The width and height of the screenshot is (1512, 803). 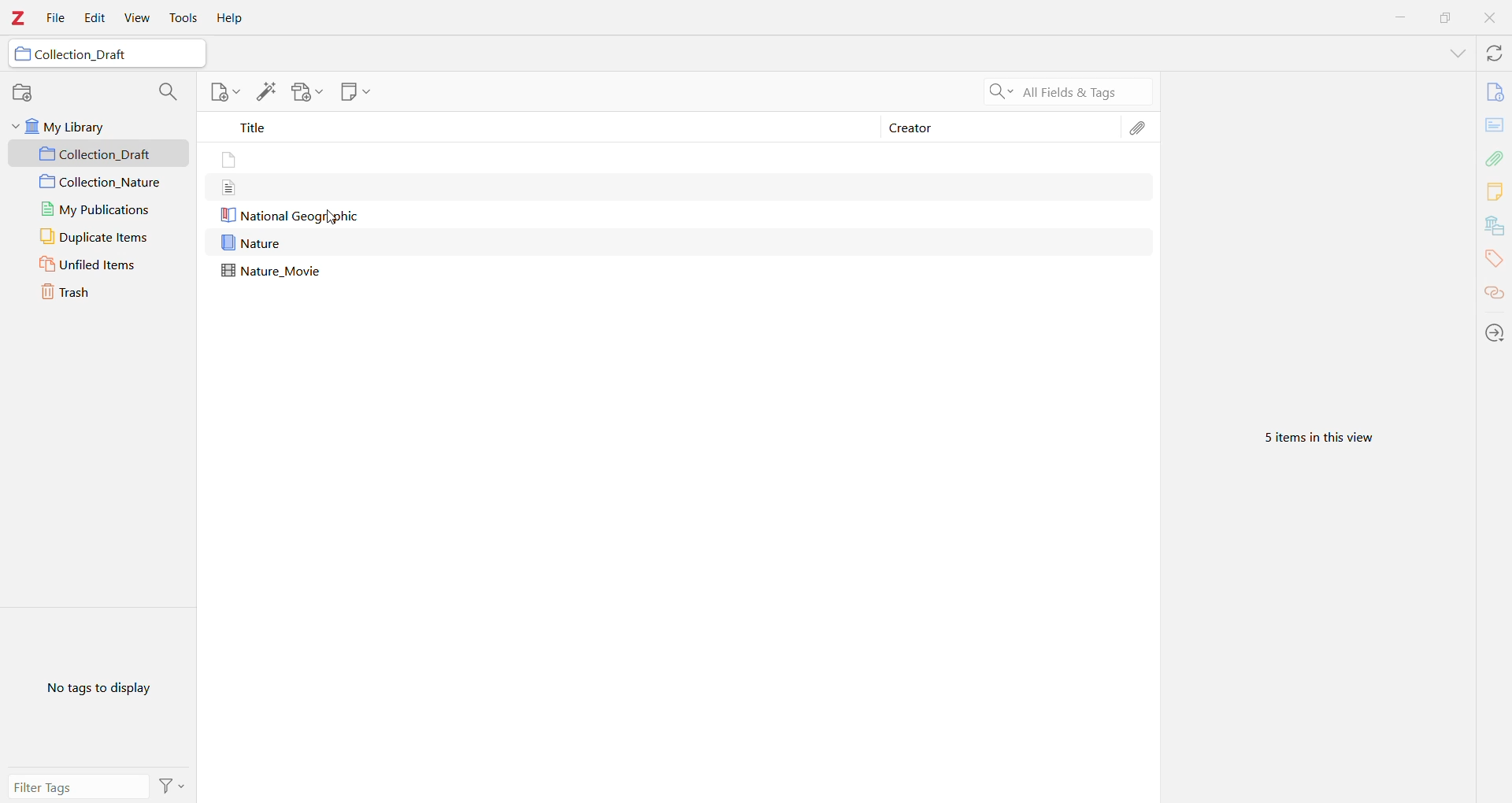 What do you see at coordinates (1457, 54) in the screenshot?
I see `Expand Section` at bounding box center [1457, 54].